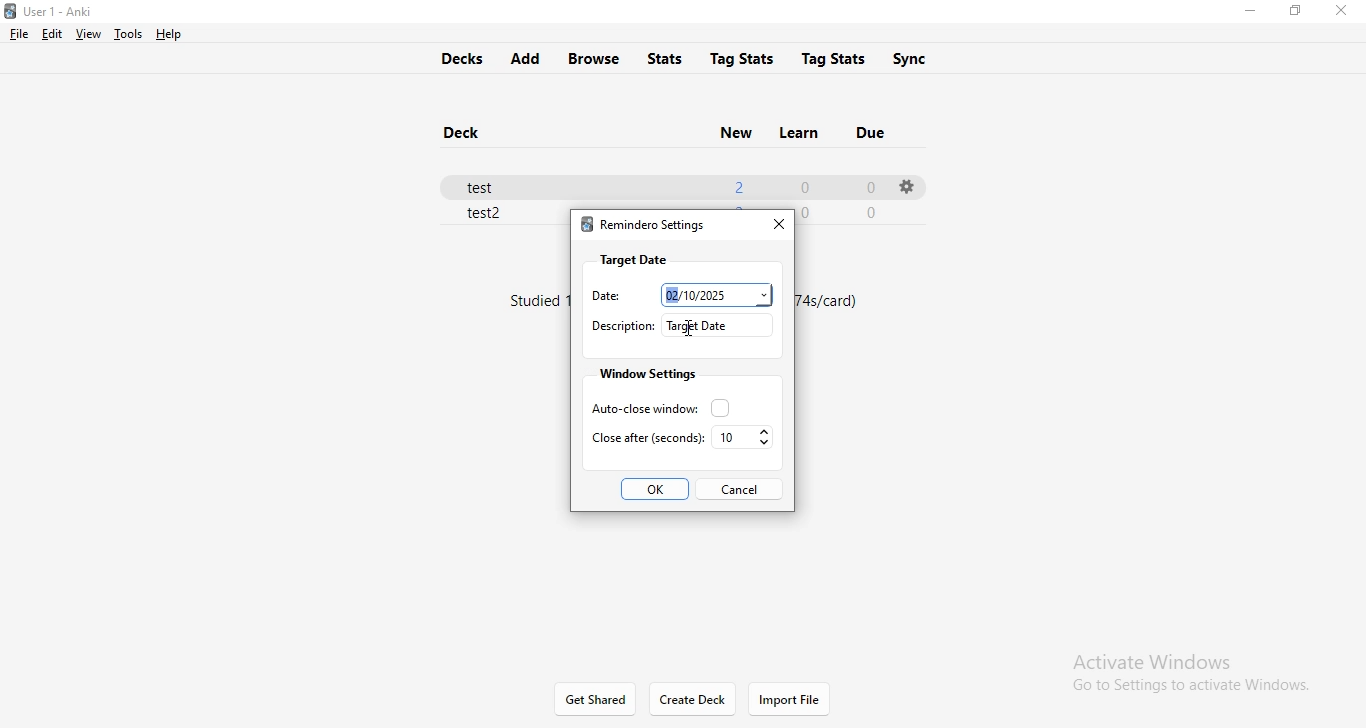 This screenshot has height=728, width=1366. I want to click on close, so click(775, 222).